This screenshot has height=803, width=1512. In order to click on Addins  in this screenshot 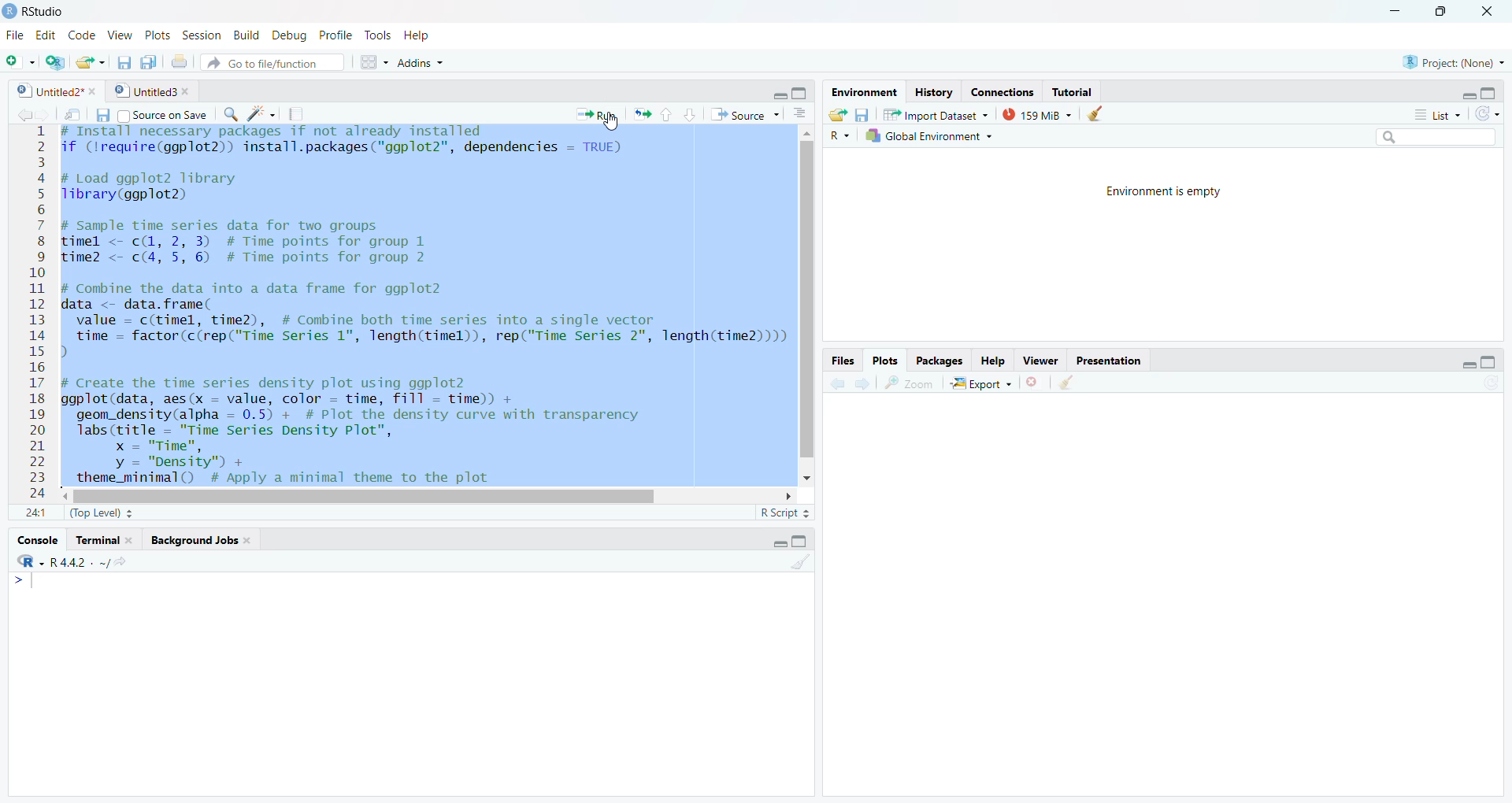, I will do `click(420, 64)`.